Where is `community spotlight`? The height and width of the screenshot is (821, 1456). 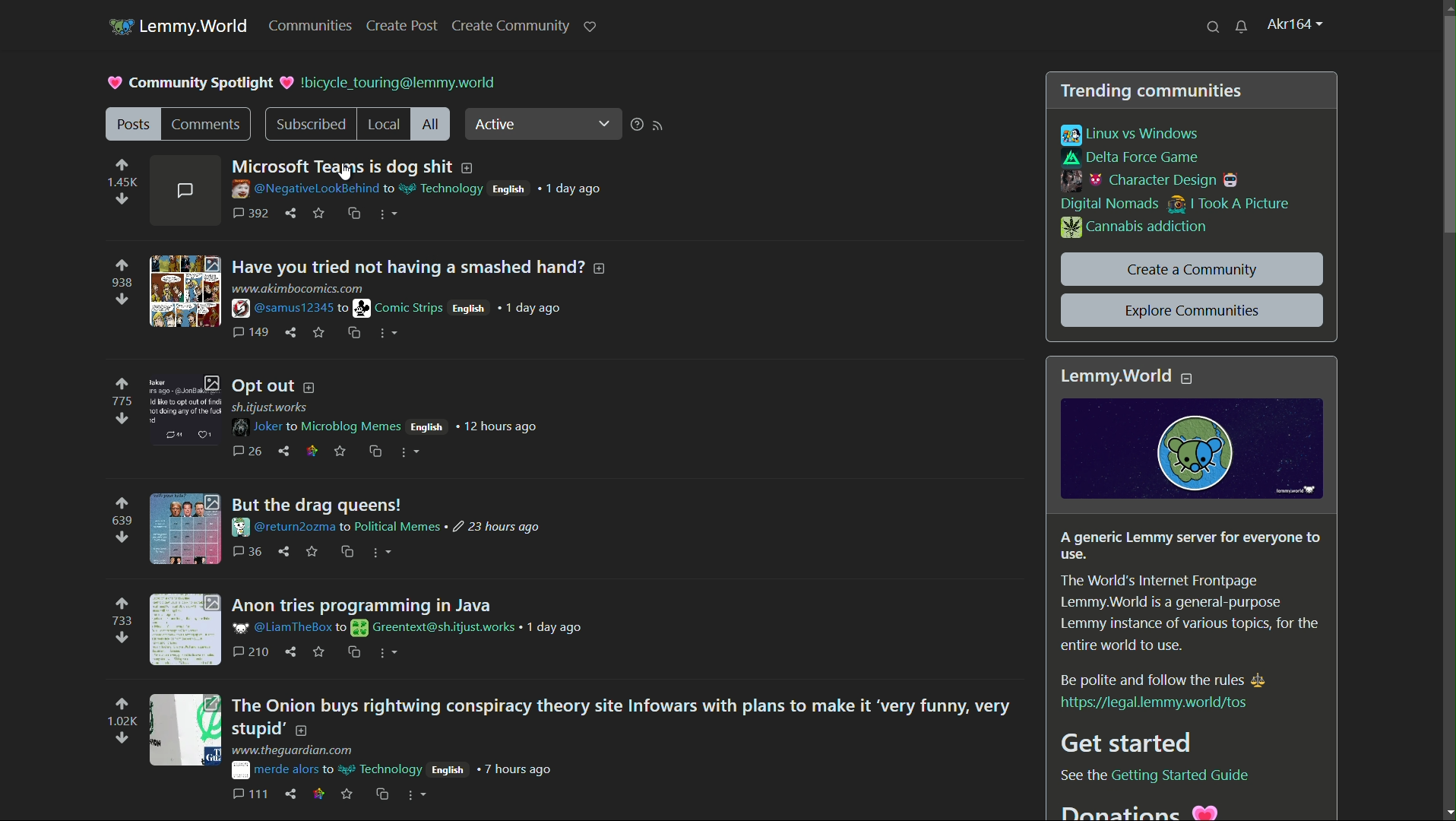 community spotlight is located at coordinates (191, 83).